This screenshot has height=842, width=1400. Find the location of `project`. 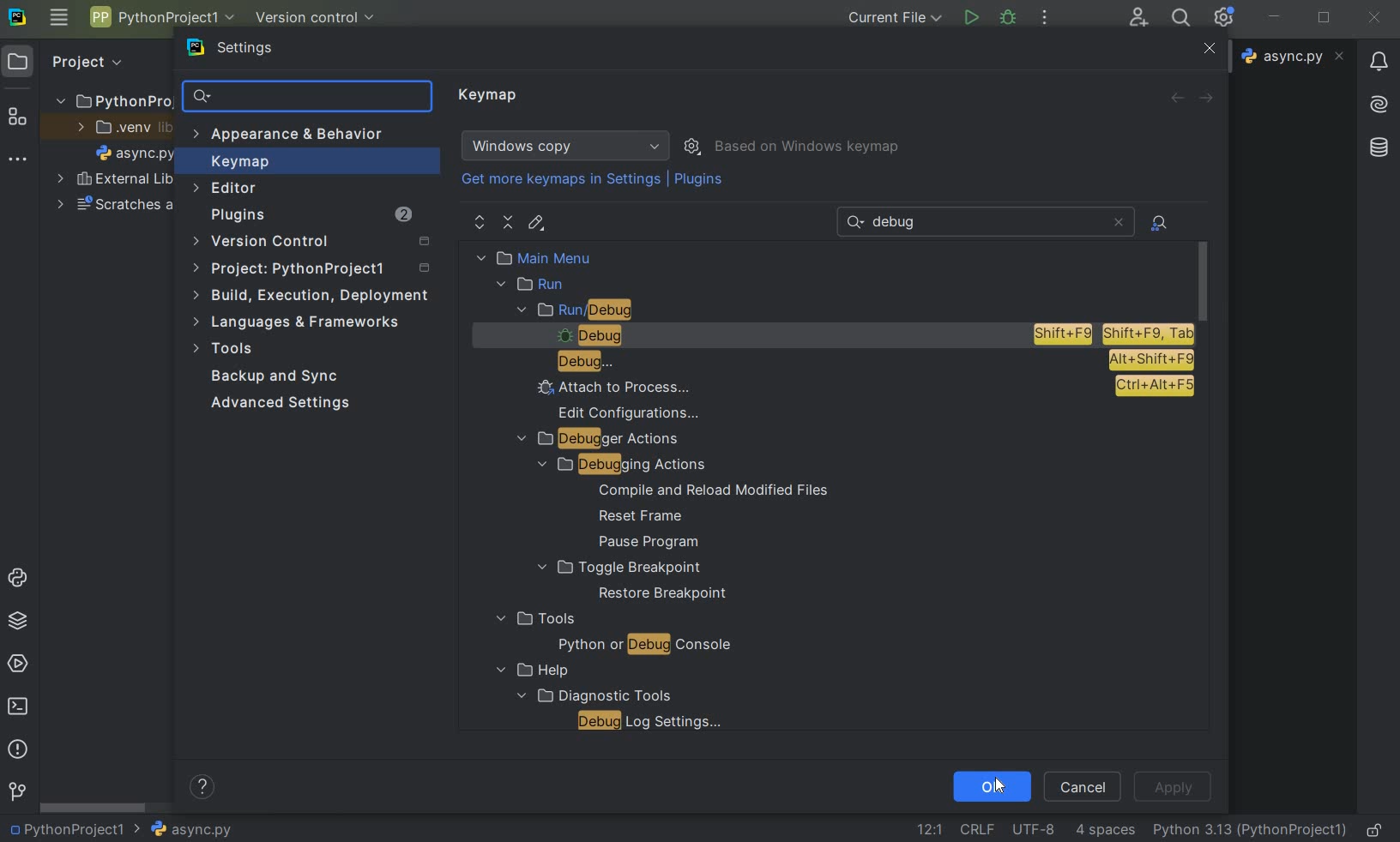

project is located at coordinates (314, 271).